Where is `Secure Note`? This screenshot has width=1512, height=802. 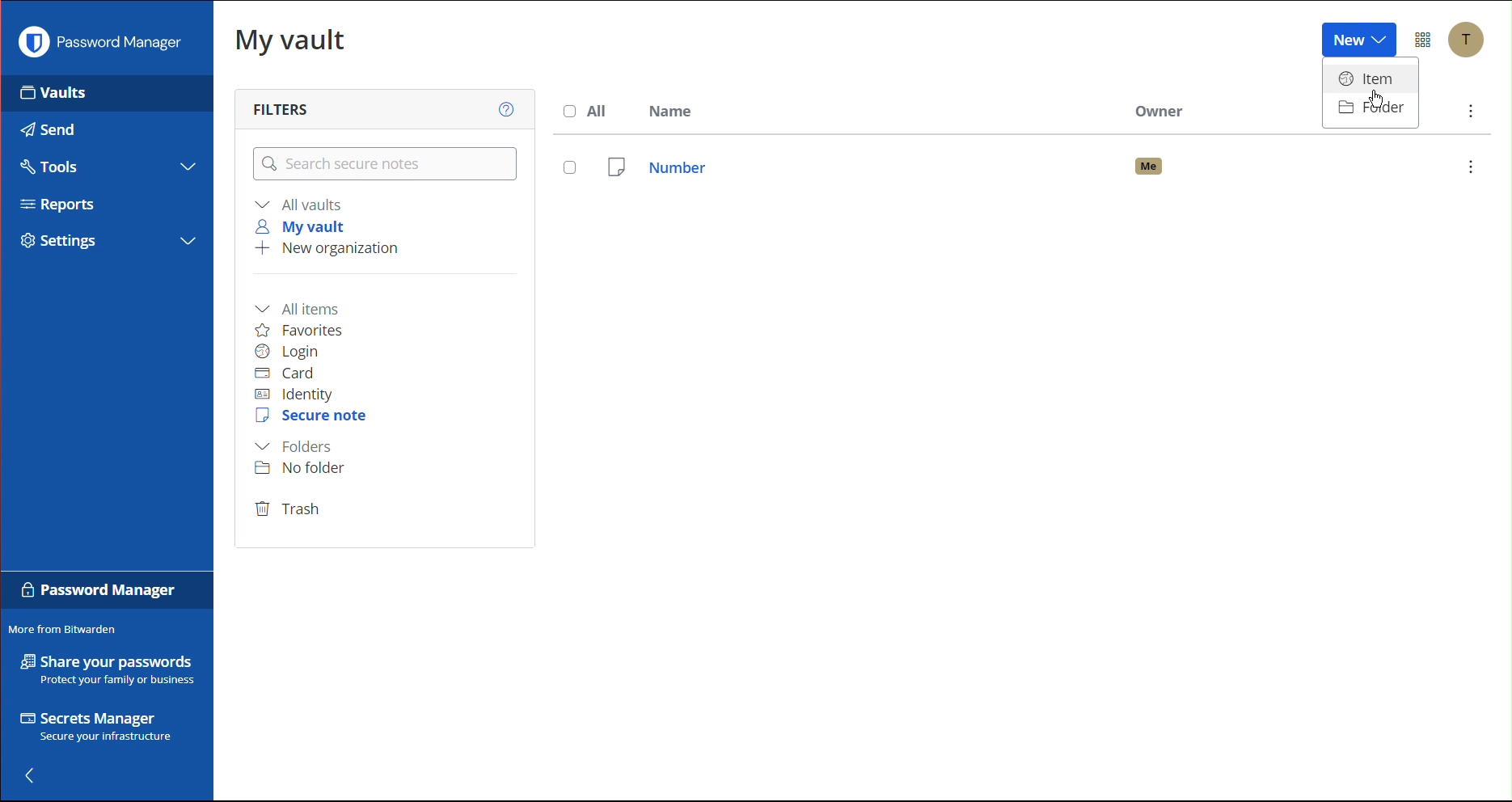
Secure Note is located at coordinates (313, 416).